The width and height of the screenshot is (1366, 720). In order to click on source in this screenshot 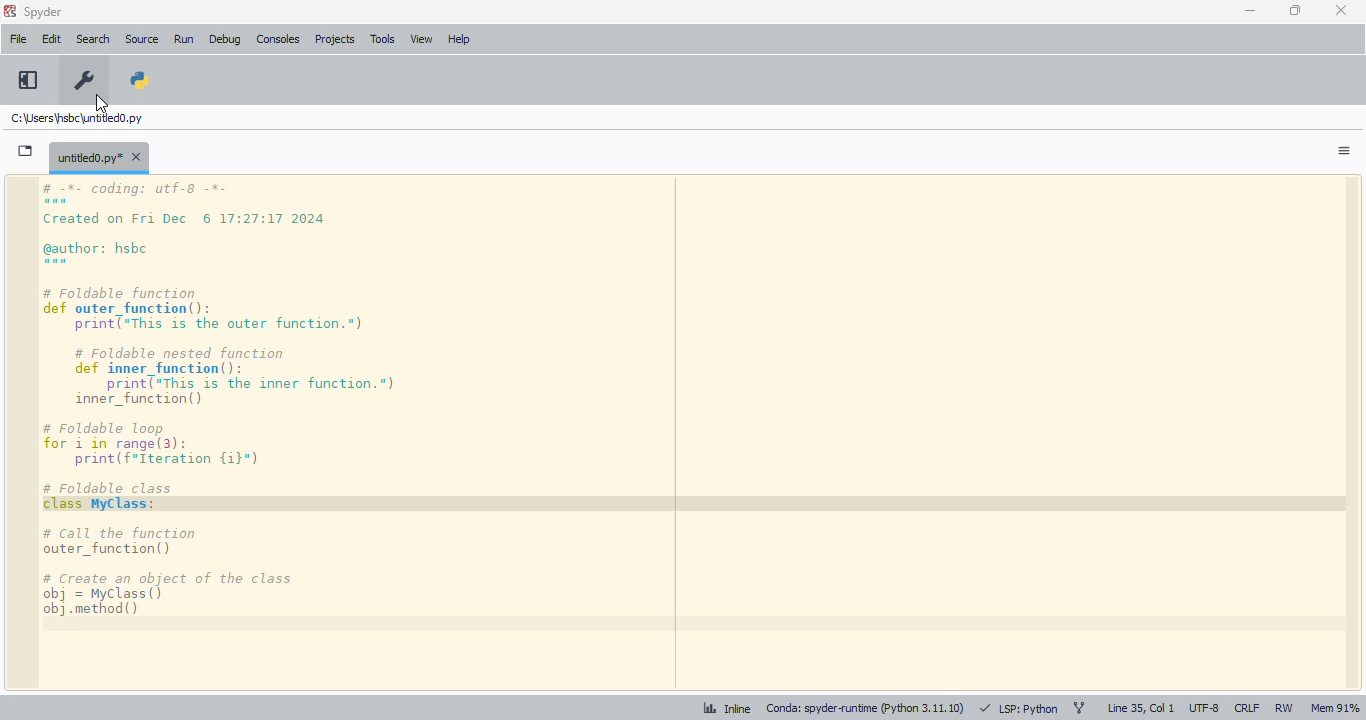, I will do `click(142, 39)`.